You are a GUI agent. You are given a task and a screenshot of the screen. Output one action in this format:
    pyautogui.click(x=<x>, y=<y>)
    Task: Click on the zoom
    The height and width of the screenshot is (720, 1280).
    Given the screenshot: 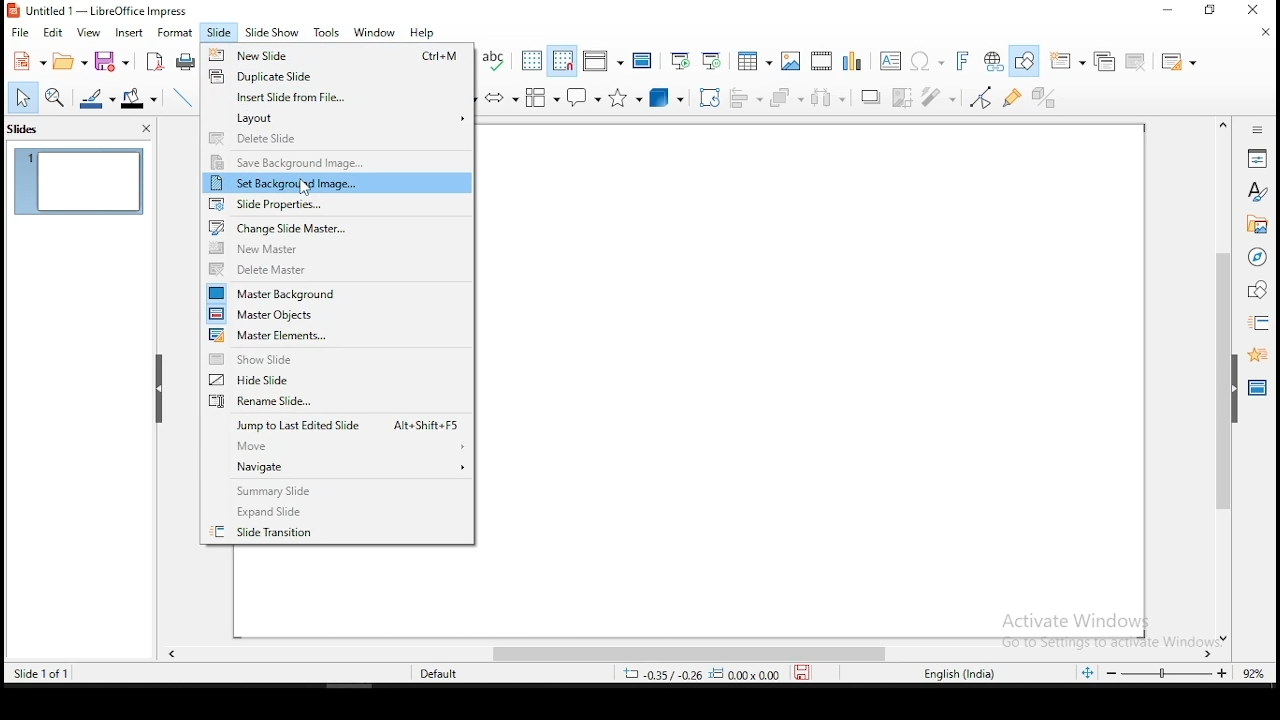 What is the action you would take?
    pyautogui.click(x=1165, y=675)
    